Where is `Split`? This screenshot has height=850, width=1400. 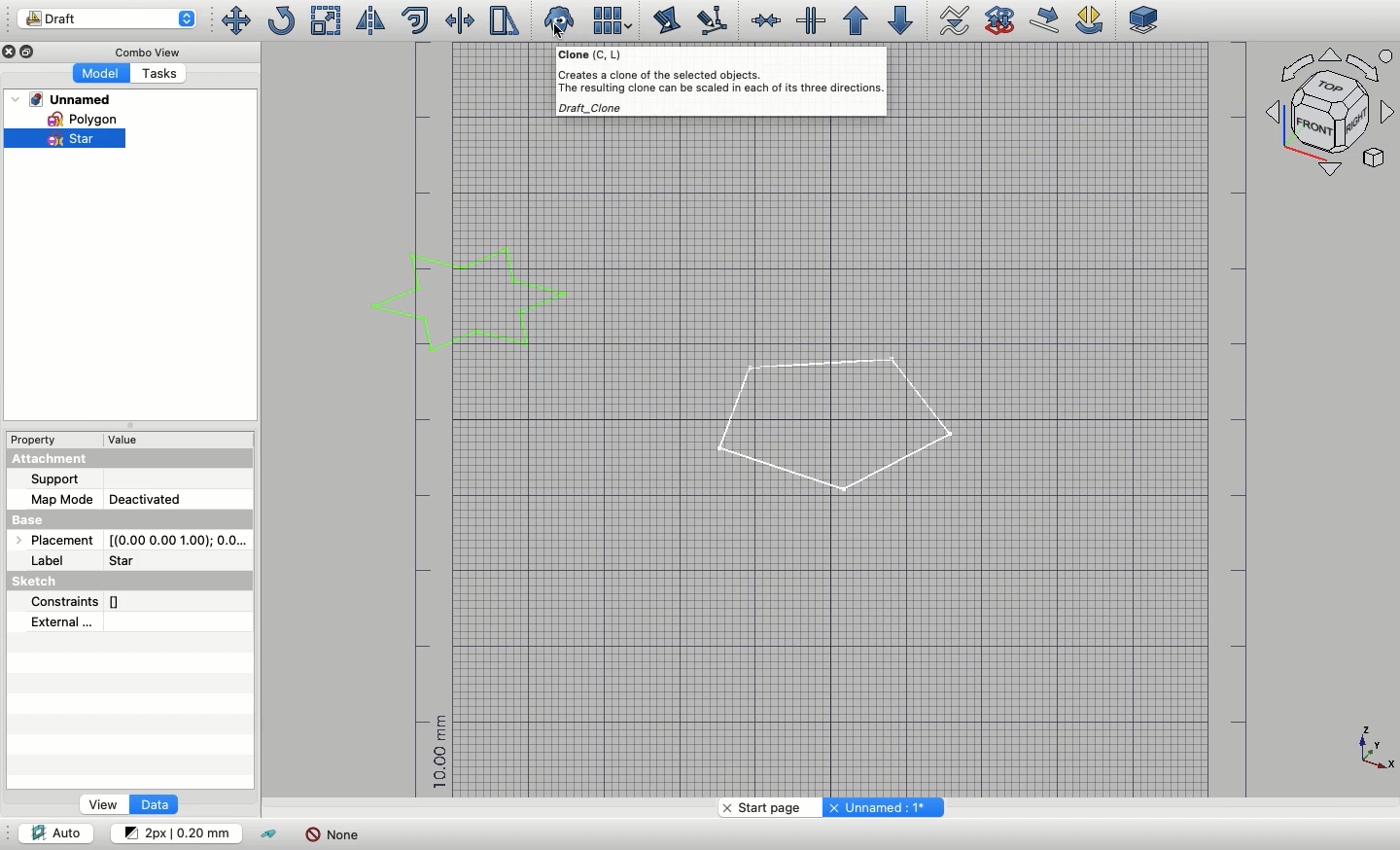
Split is located at coordinates (810, 20).